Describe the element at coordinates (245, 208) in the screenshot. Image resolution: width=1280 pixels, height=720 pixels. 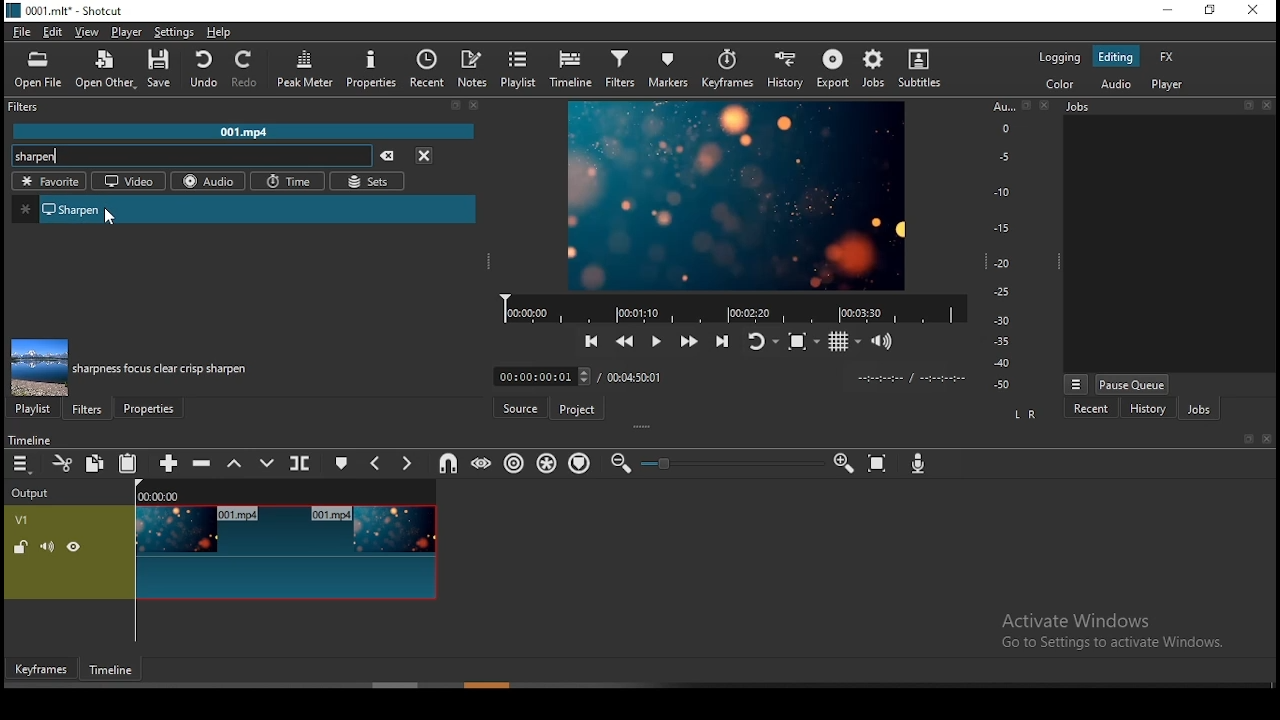
I see `sharpen` at that location.